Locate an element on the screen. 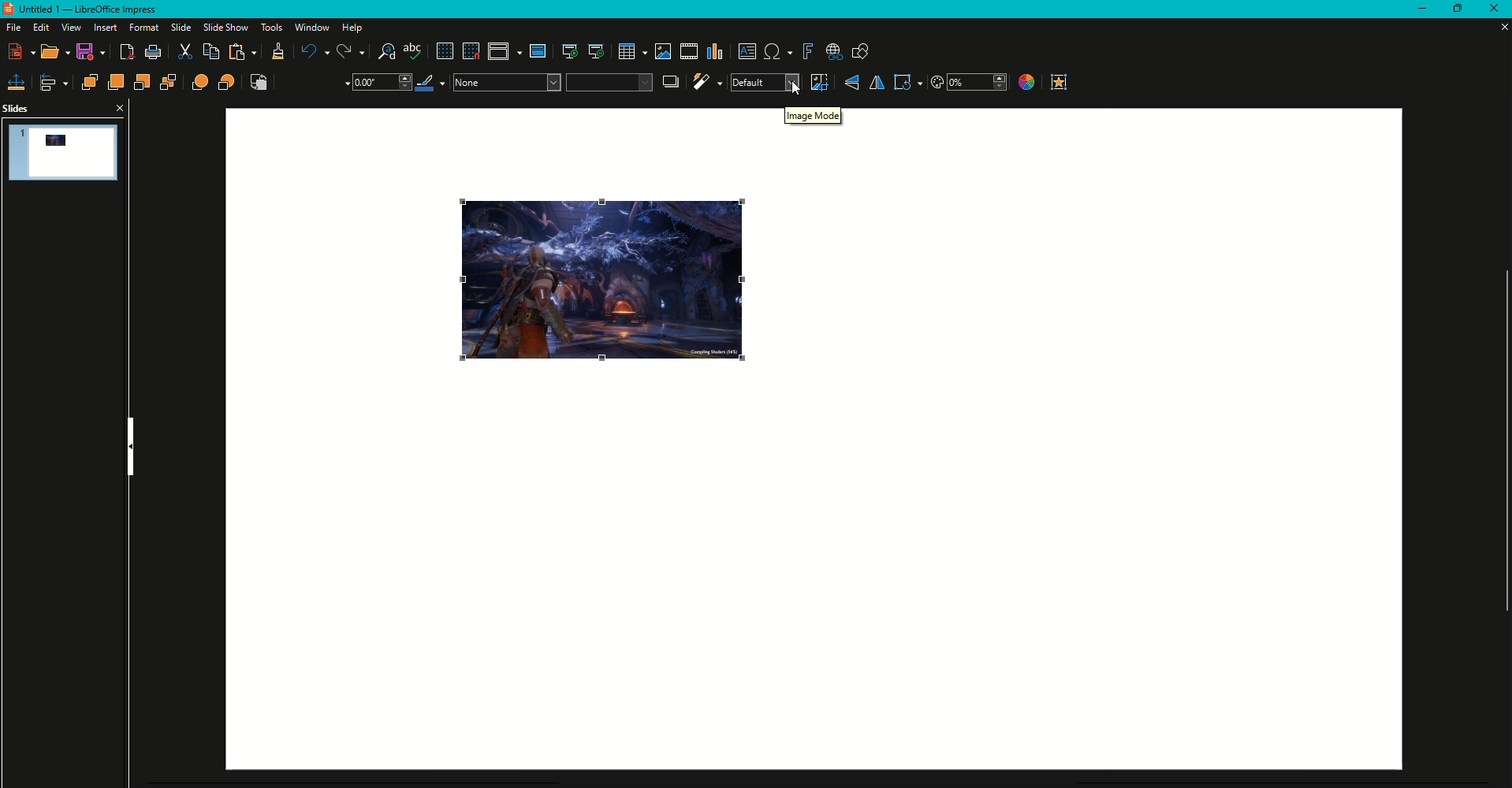 Image resolution: width=1512 pixels, height=788 pixels. Area/Style is located at coordinates (552, 82).